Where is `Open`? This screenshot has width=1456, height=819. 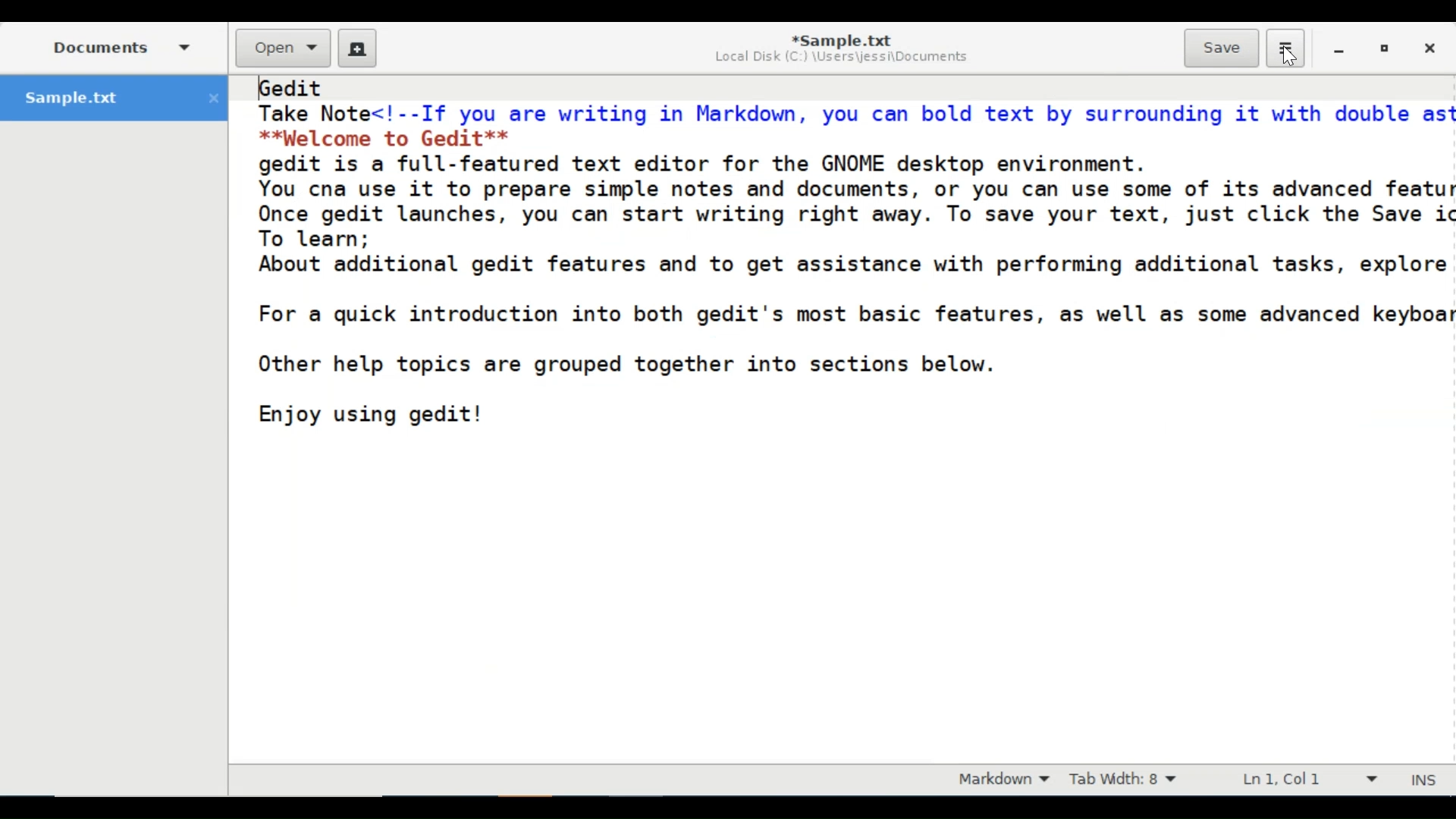
Open is located at coordinates (284, 49).